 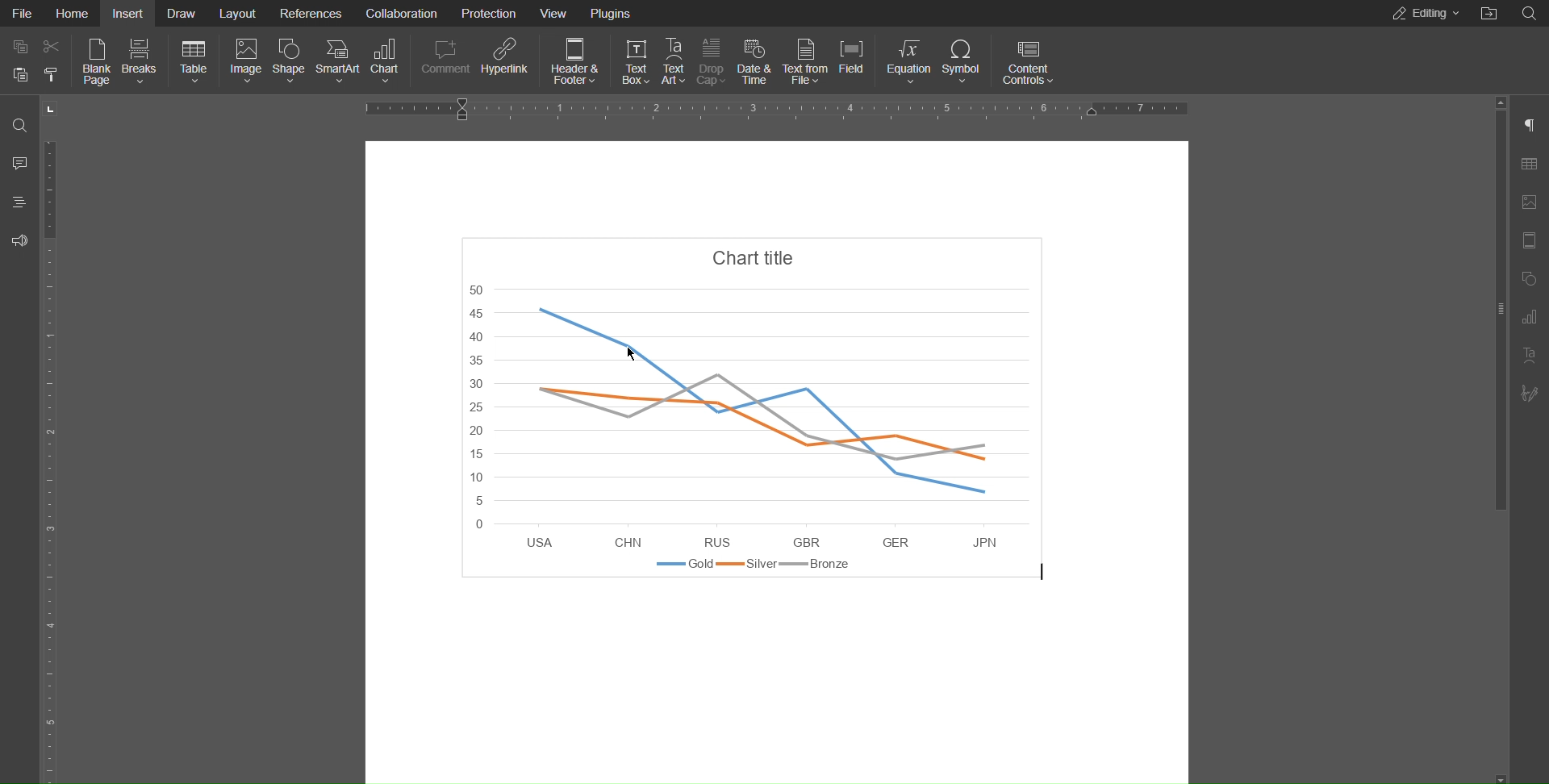 What do you see at coordinates (245, 64) in the screenshot?
I see `Image` at bounding box center [245, 64].